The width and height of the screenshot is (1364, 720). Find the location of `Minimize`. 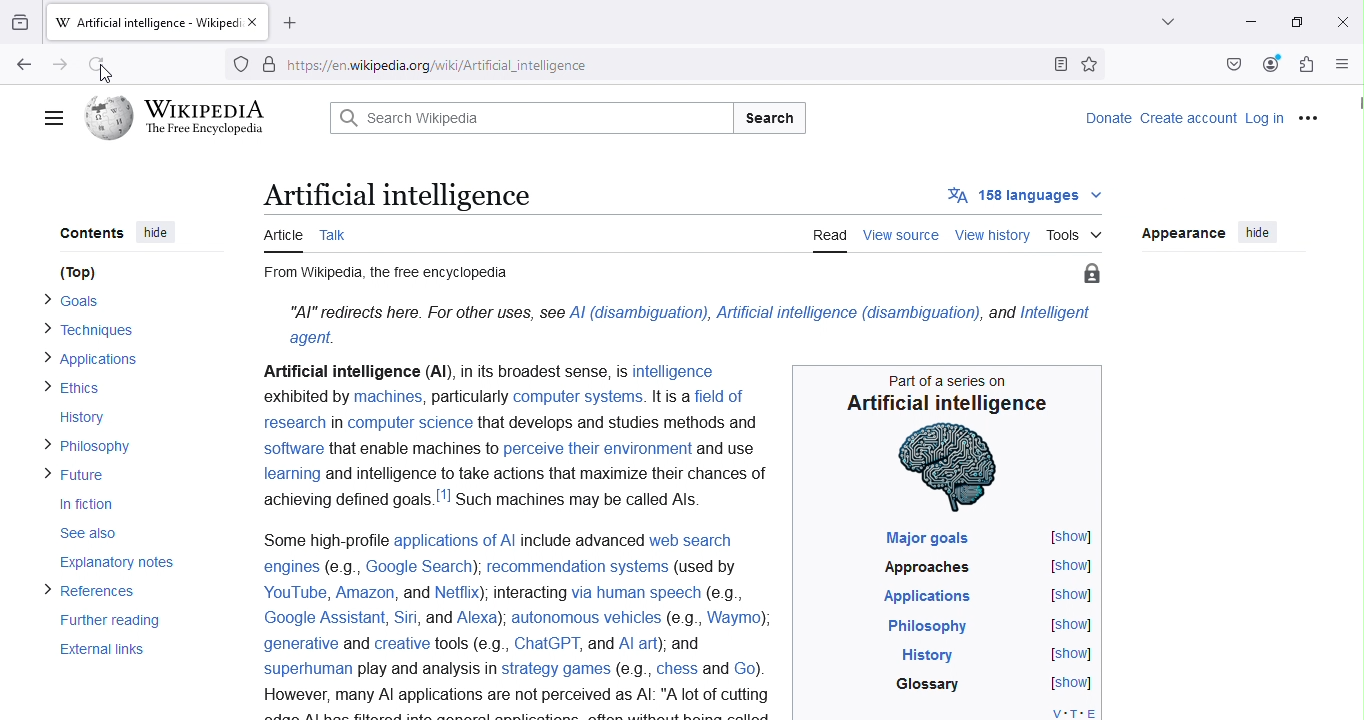

Minimize is located at coordinates (1240, 23).